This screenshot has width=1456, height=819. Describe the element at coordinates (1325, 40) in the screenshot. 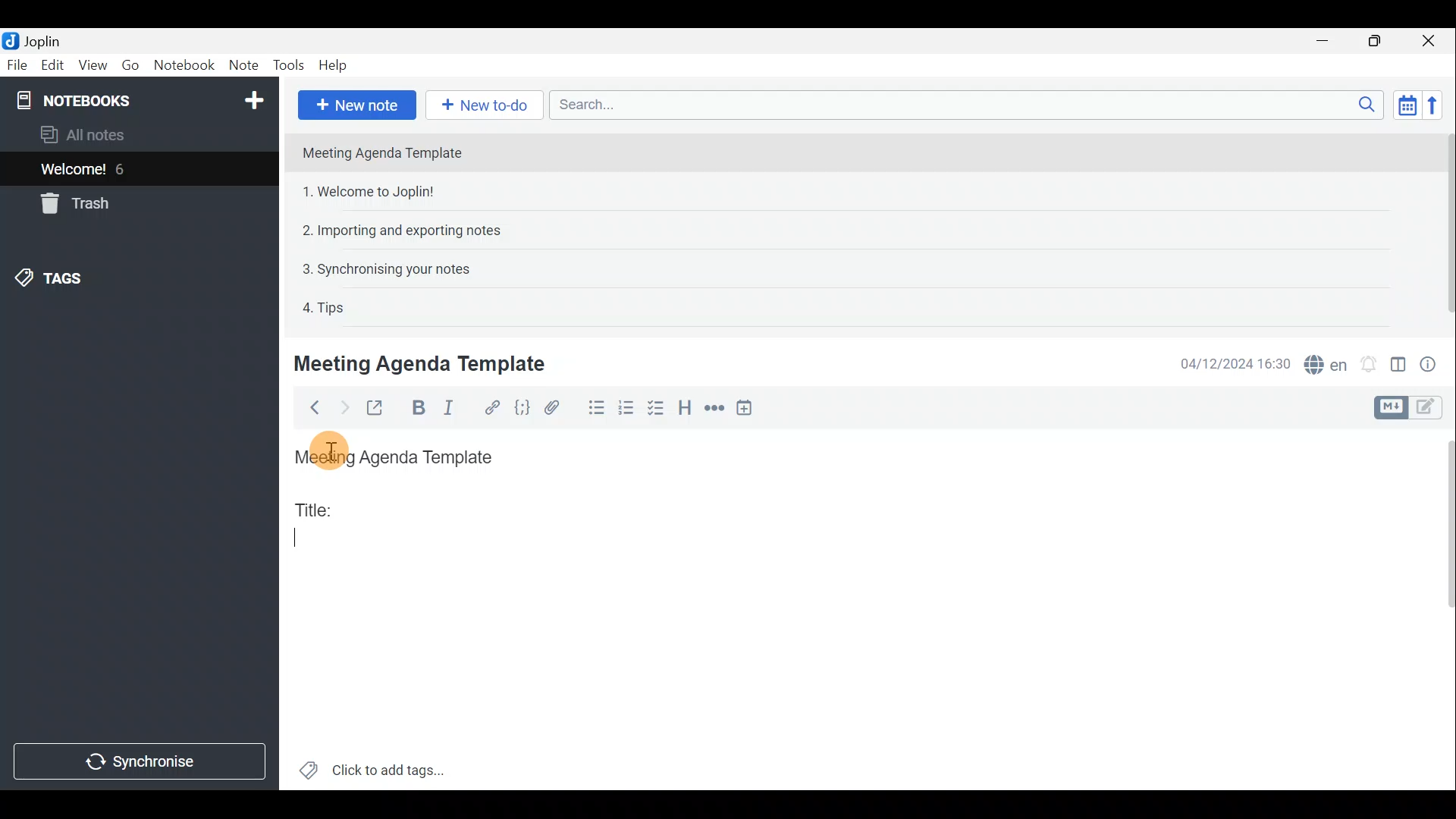

I see `Minimise` at that location.